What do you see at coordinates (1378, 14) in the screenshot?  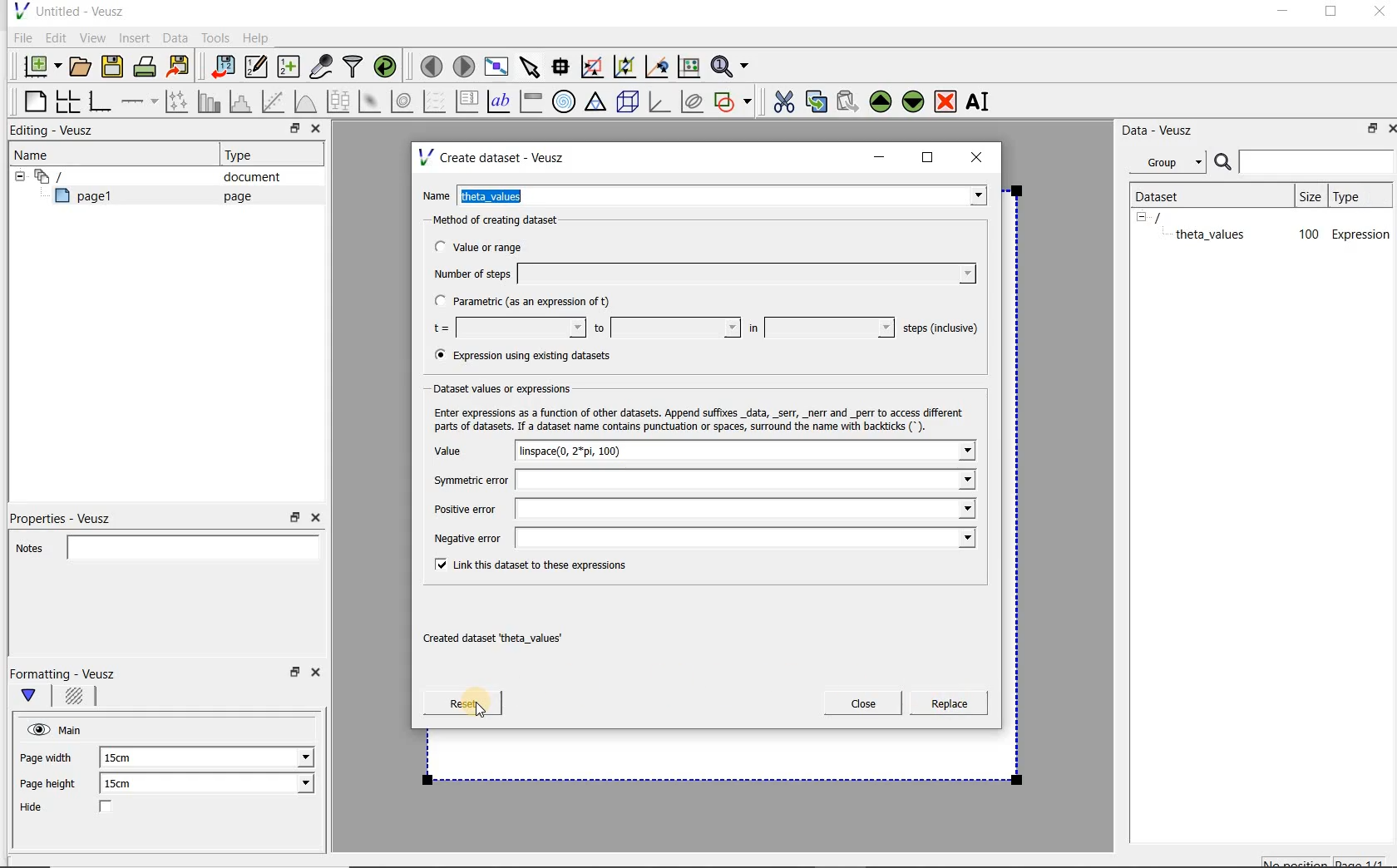 I see `Close` at bounding box center [1378, 14].